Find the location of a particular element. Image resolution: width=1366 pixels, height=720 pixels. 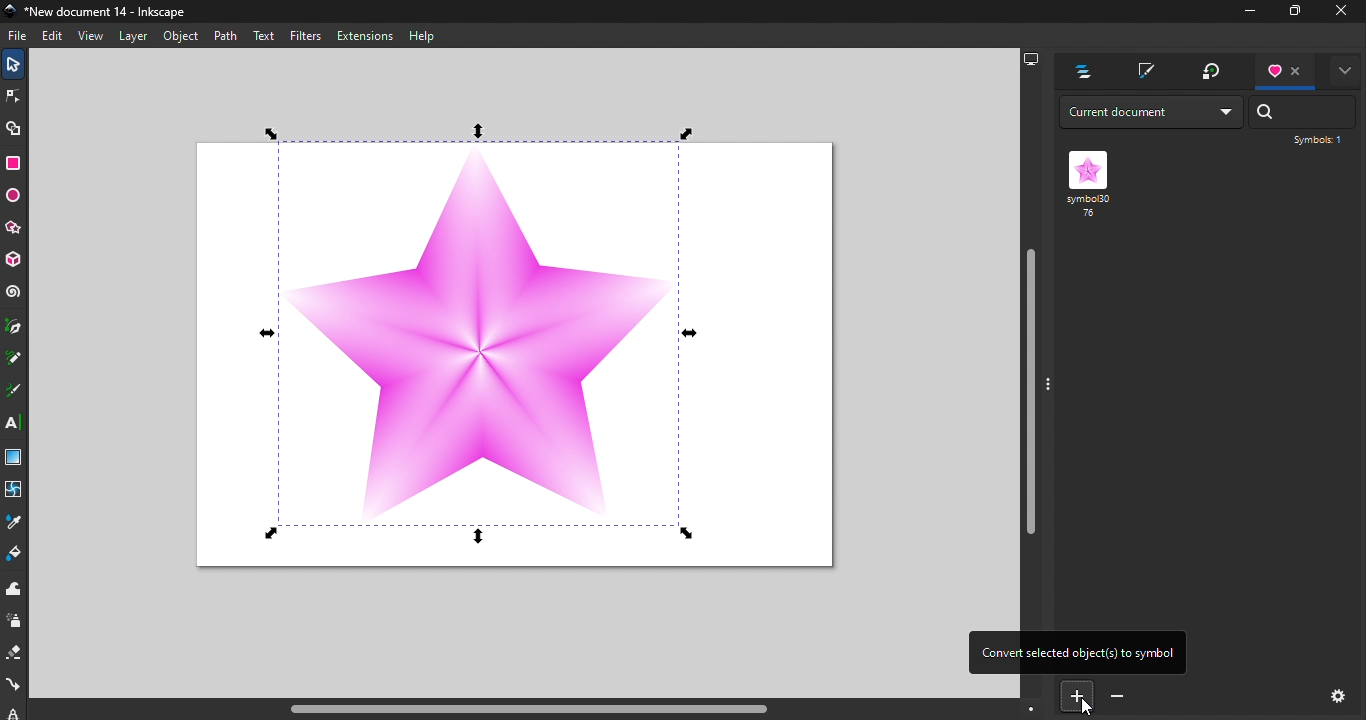

Filters is located at coordinates (307, 35).